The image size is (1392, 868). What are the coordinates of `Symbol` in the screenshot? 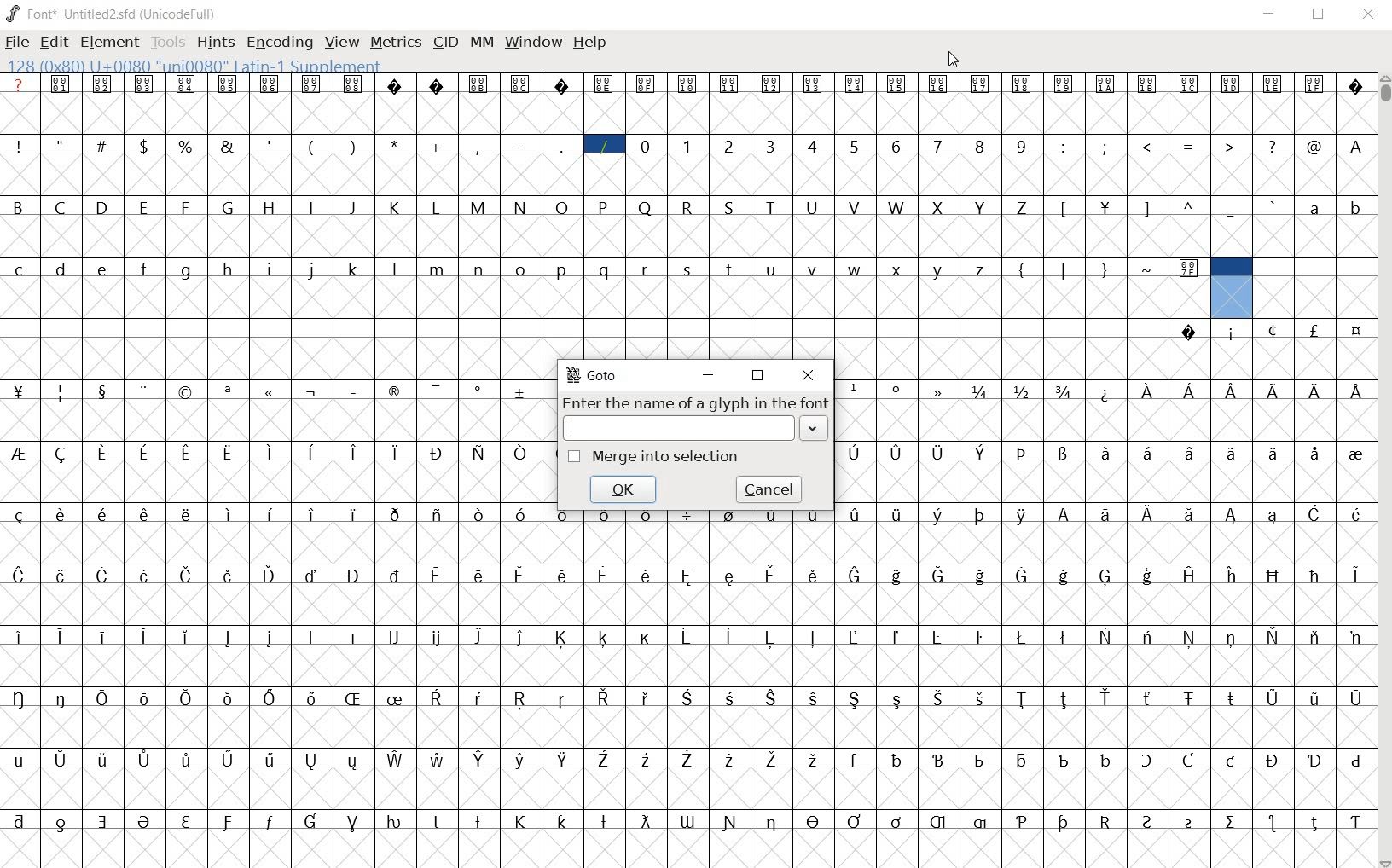 It's located at (1357, 330).